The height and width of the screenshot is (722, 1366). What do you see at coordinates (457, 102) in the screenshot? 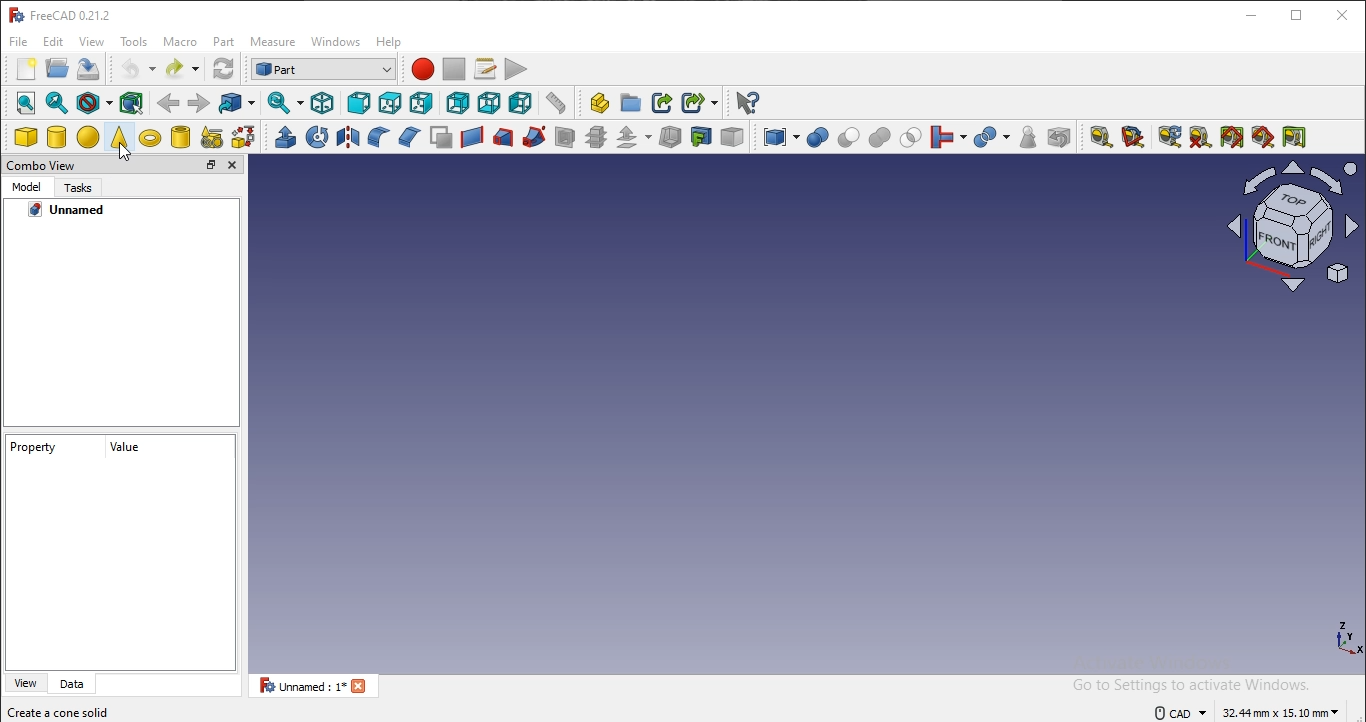
I see `rear` at bounding box center [457, 102].